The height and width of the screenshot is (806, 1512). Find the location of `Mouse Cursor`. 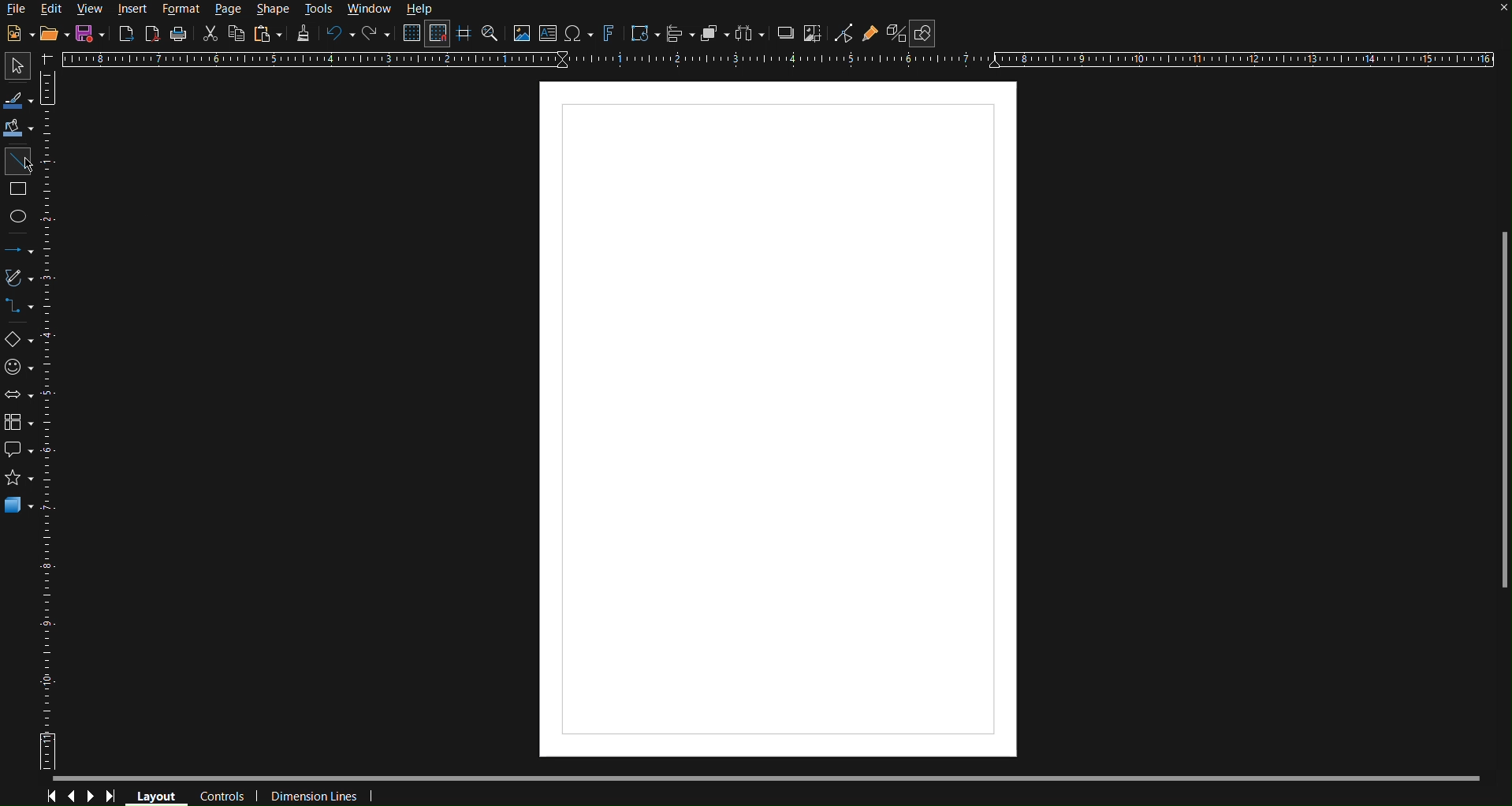

Mouse Cursor is located at coordinates (32, 166).